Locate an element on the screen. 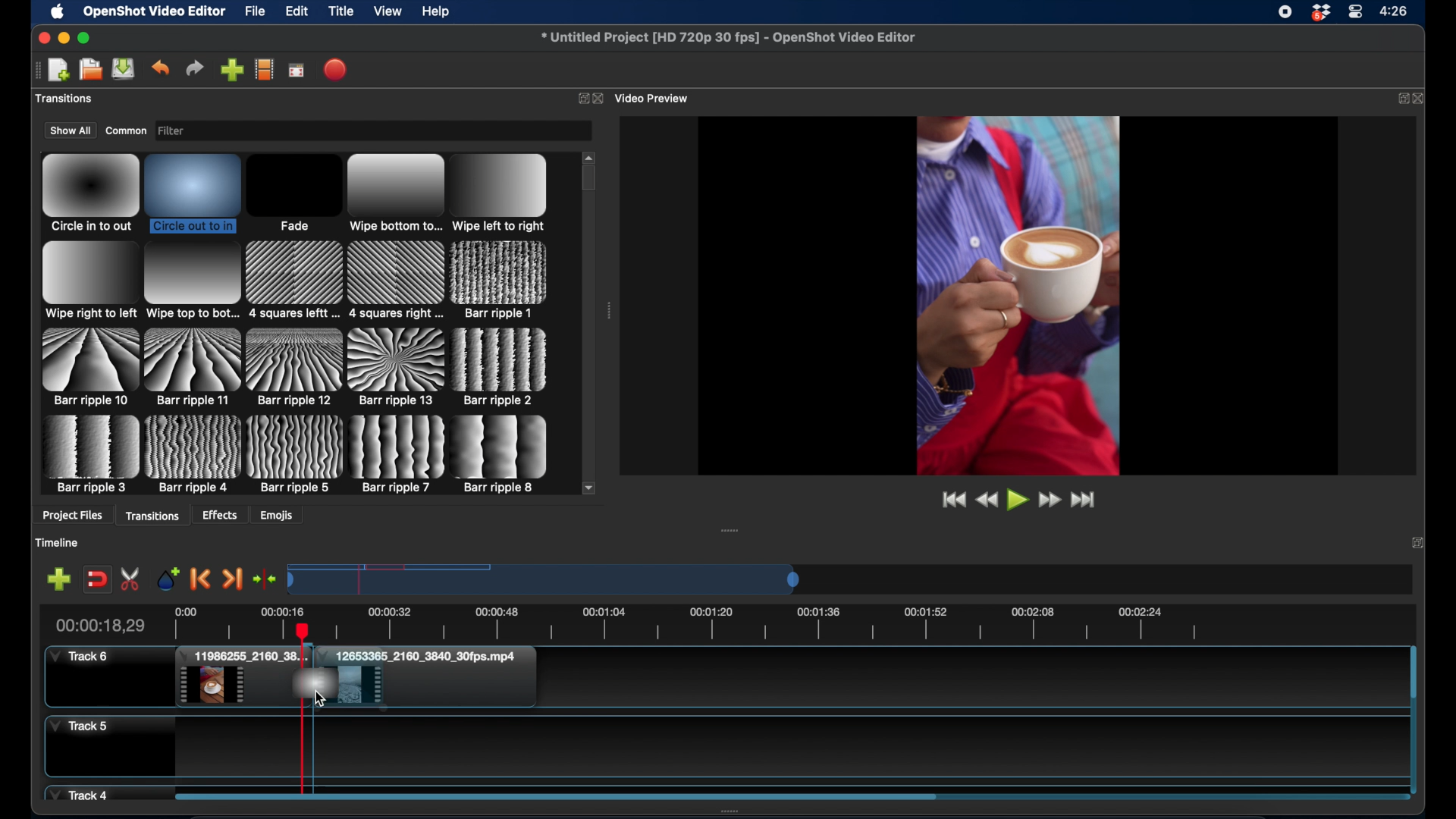 The image size is (1456, 819). disable snapping is located at coordinates (97, 578).